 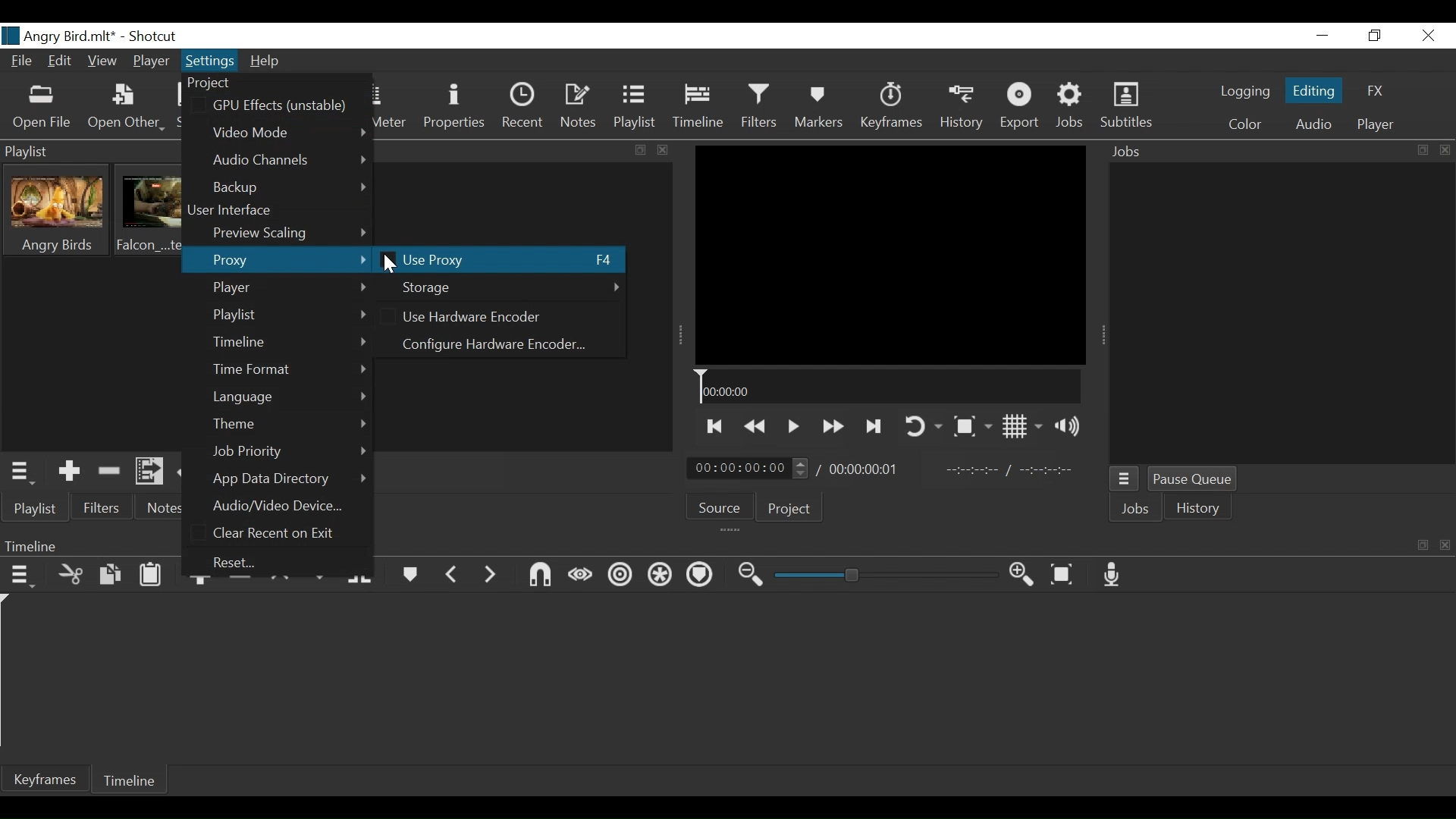 I want to click on Markers, so click(x=413, y=575).